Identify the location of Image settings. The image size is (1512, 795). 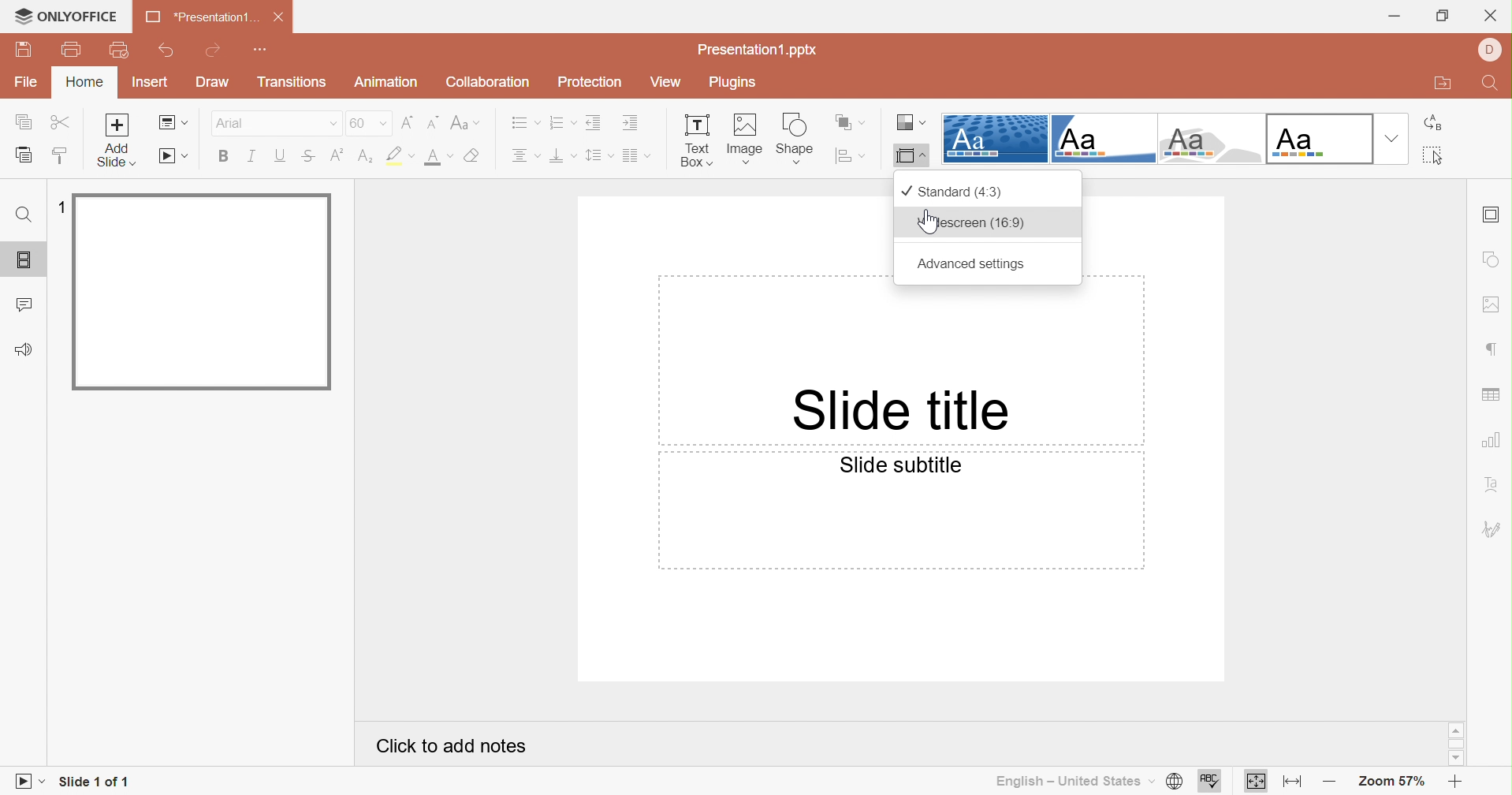
(1495, 304).